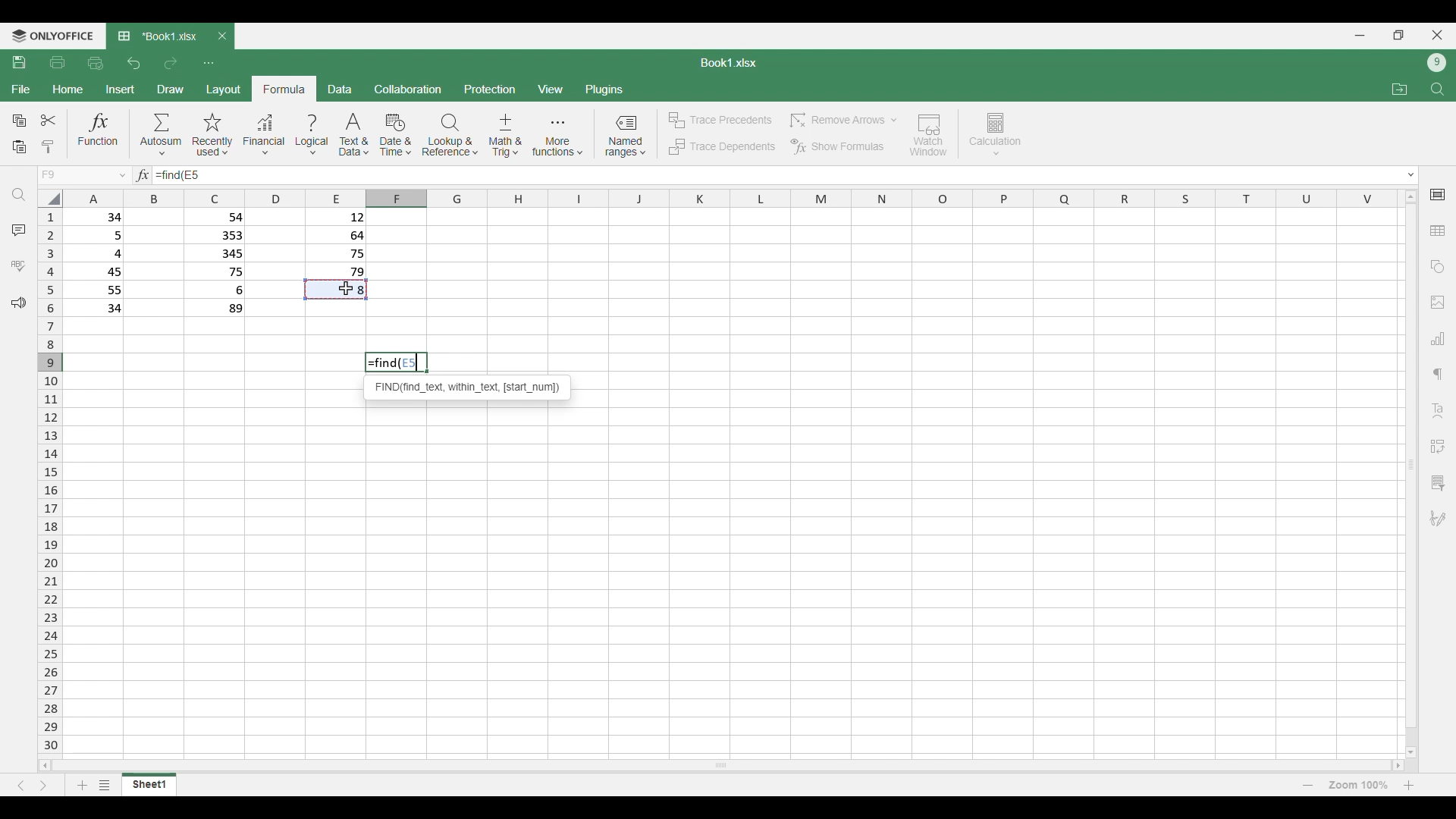 The height and width of the screenshot is (819, 1456). I want to click on Collaboration menu, so click(409, 89).